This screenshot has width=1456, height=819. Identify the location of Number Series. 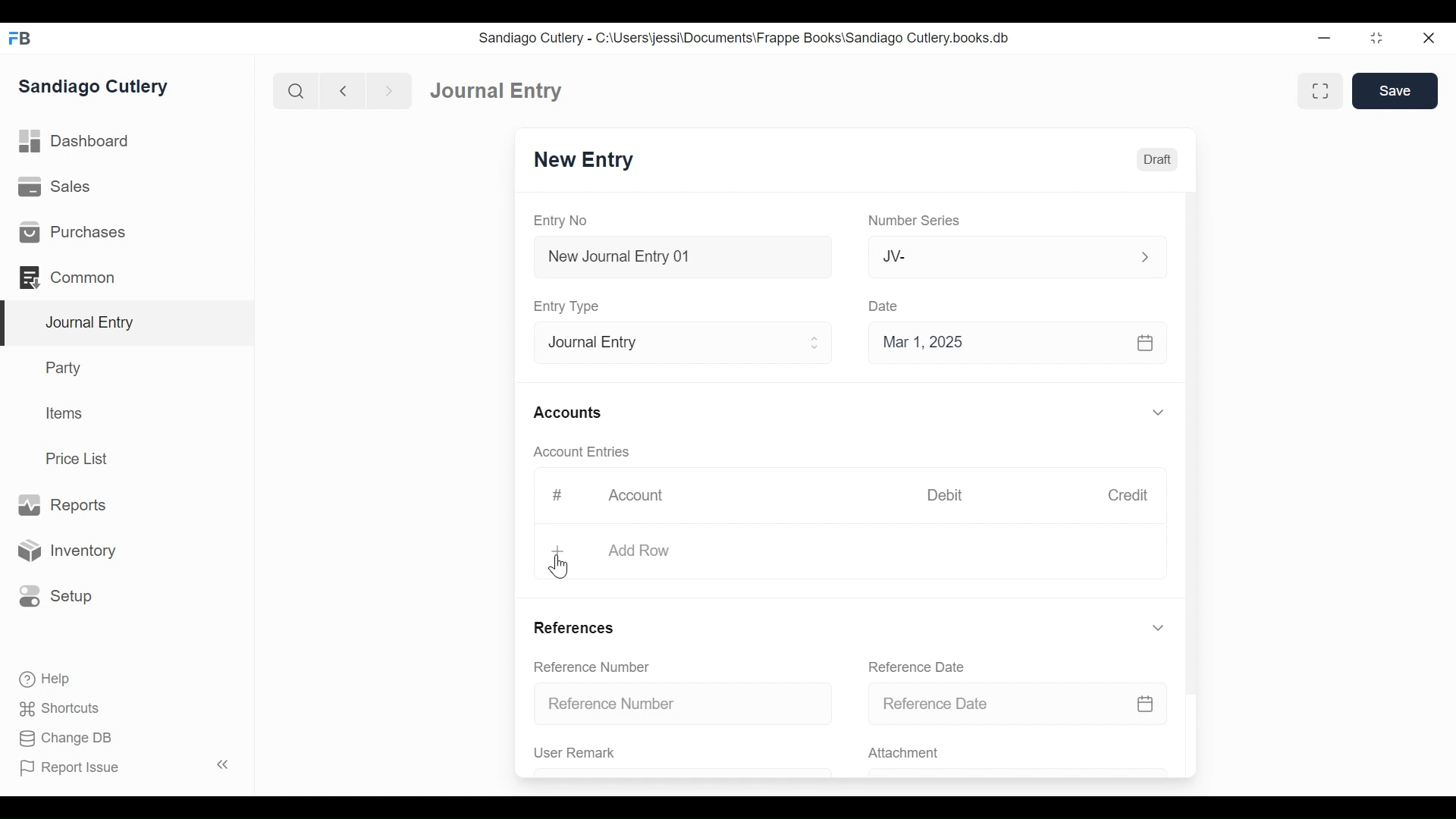
(912, 221).